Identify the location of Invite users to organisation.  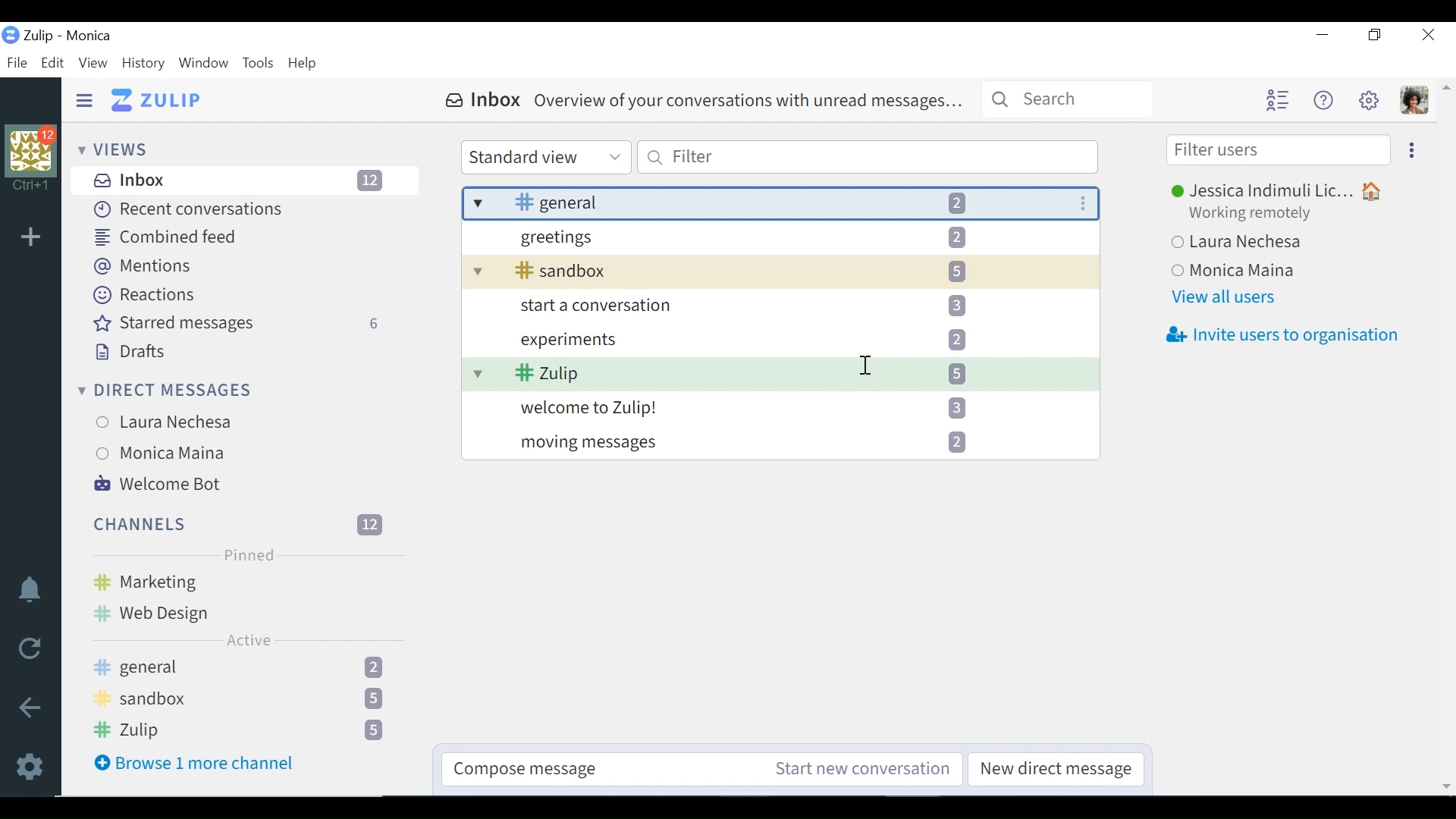
(1288, 336).